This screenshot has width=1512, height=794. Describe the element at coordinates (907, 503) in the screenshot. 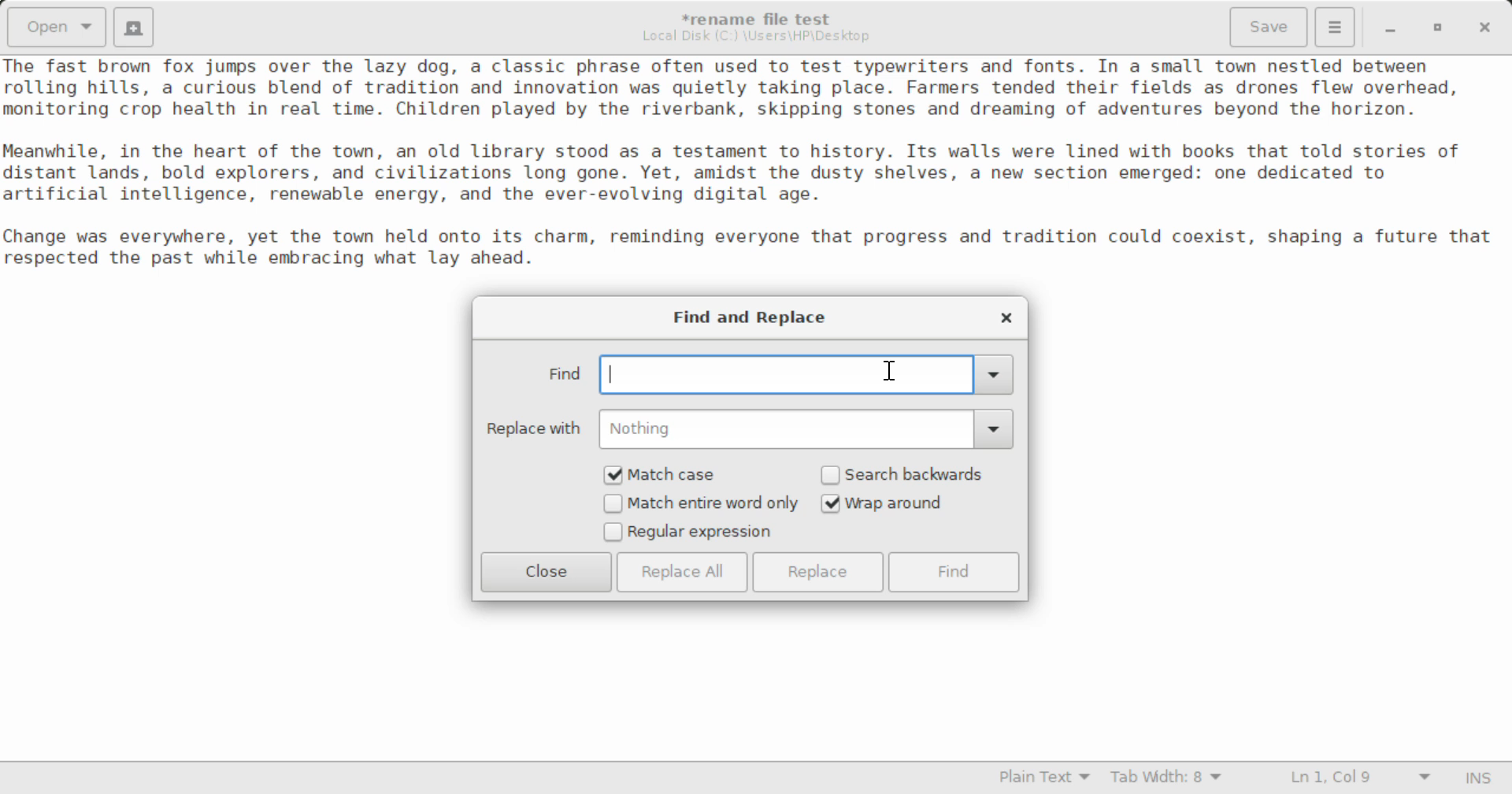

I see `Wrap around` at that location.